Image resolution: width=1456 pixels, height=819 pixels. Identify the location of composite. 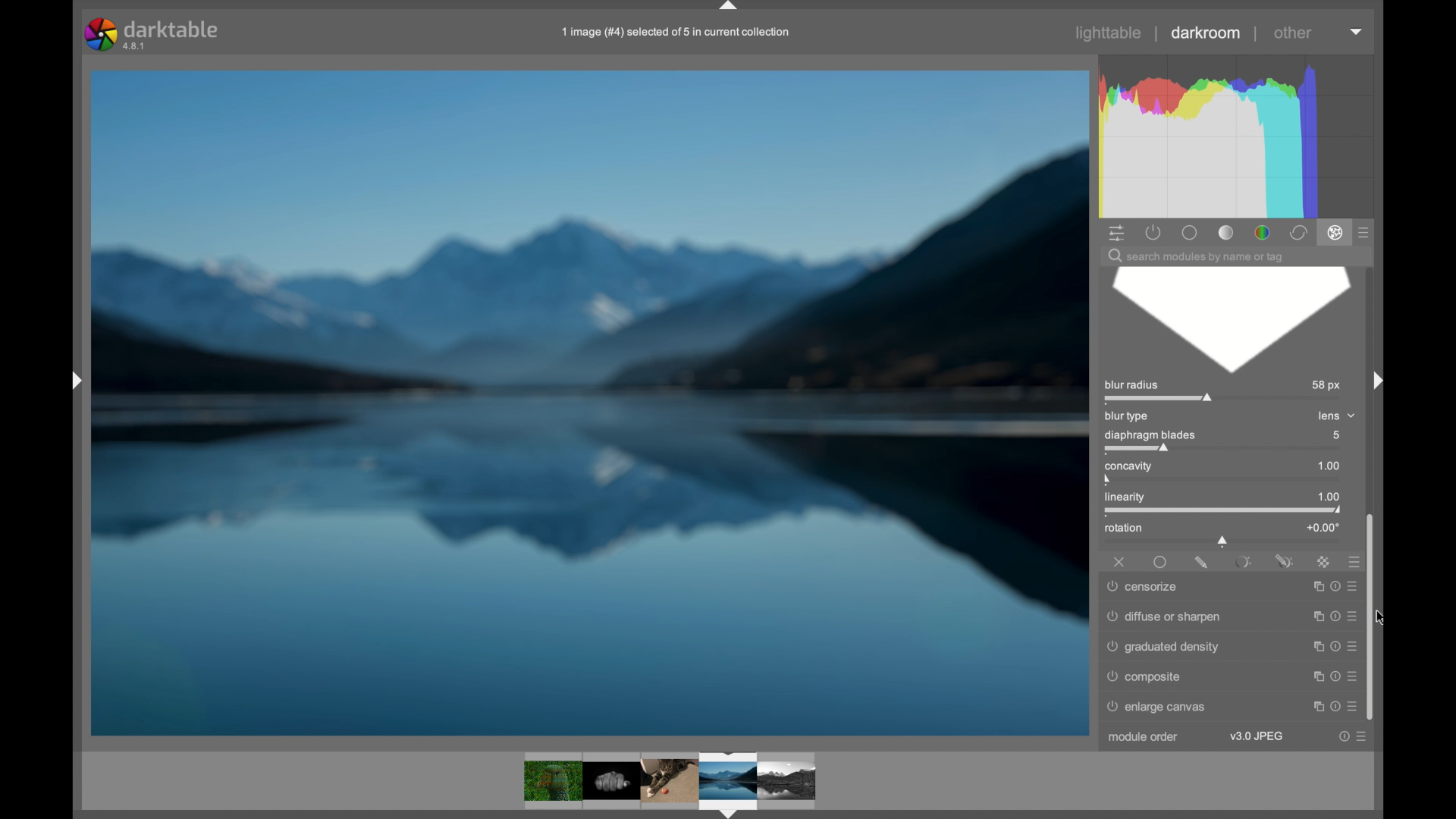
(1145, 677).